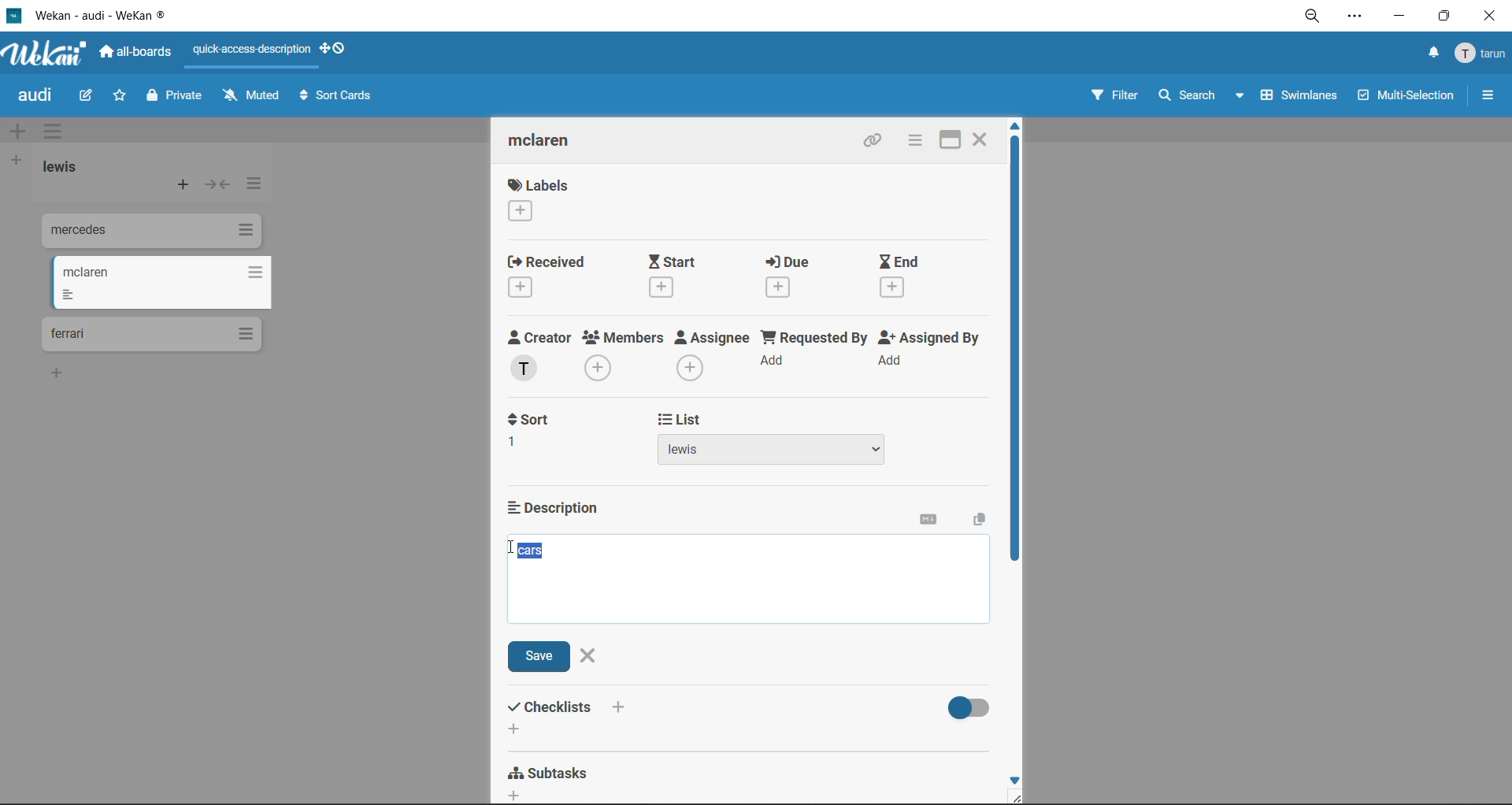 The height and width of the screenshot is (805, 1512). I want to click on close, so click(1494, 16).